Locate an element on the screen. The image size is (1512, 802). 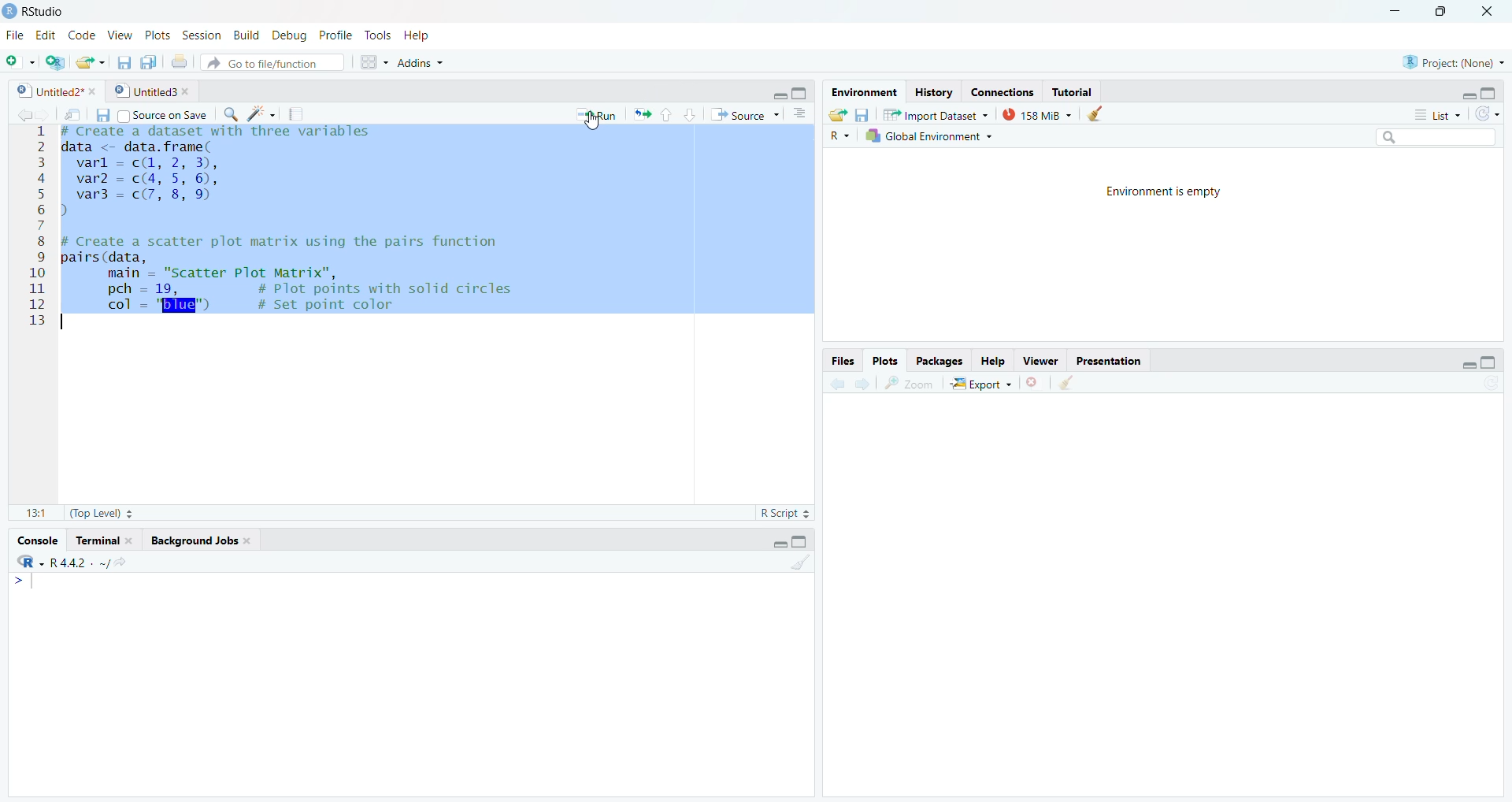
Source on Save is located at coordinates (166, 113).